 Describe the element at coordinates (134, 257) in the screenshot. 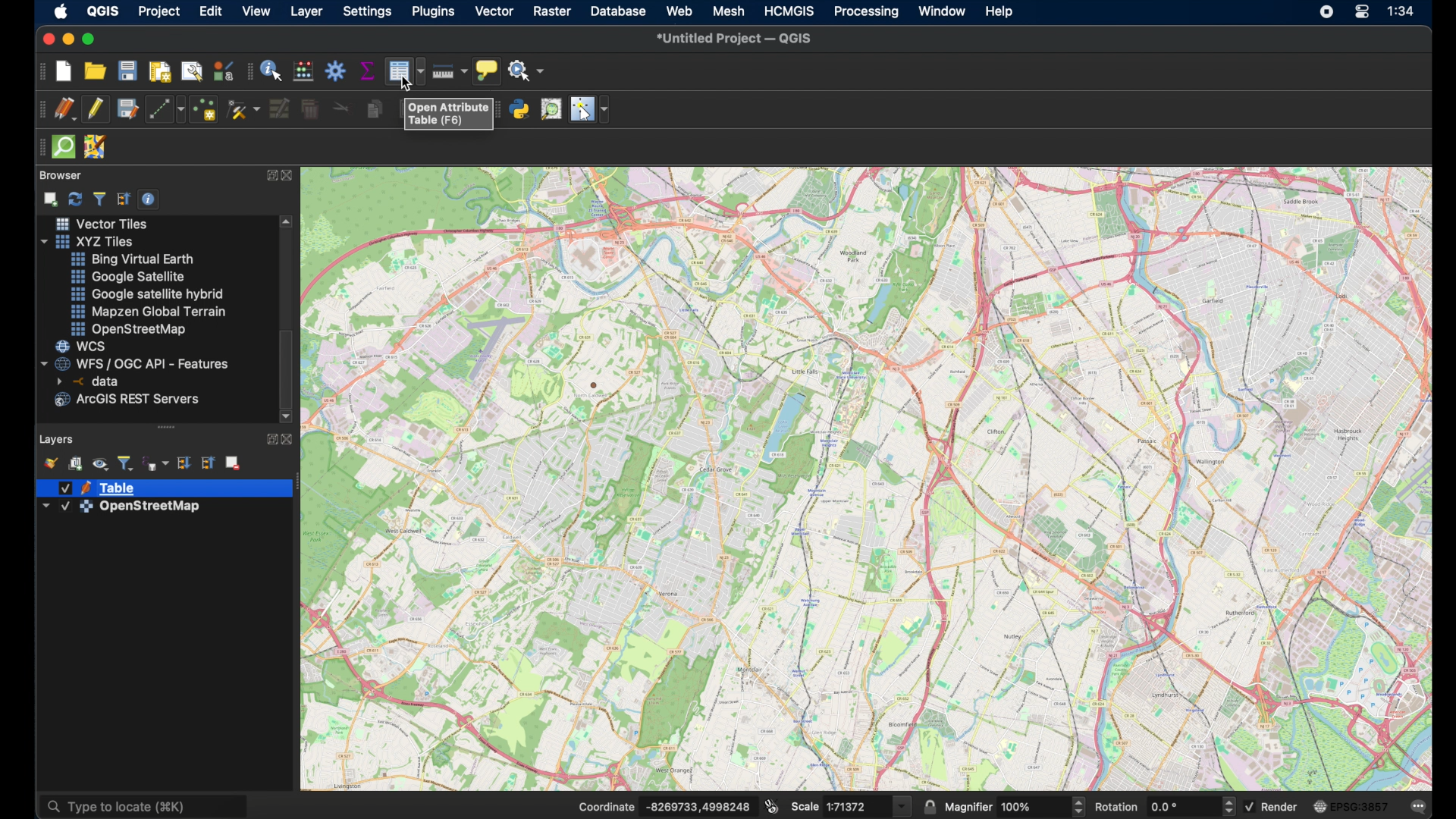

I see `bing virtual earth` at that location.